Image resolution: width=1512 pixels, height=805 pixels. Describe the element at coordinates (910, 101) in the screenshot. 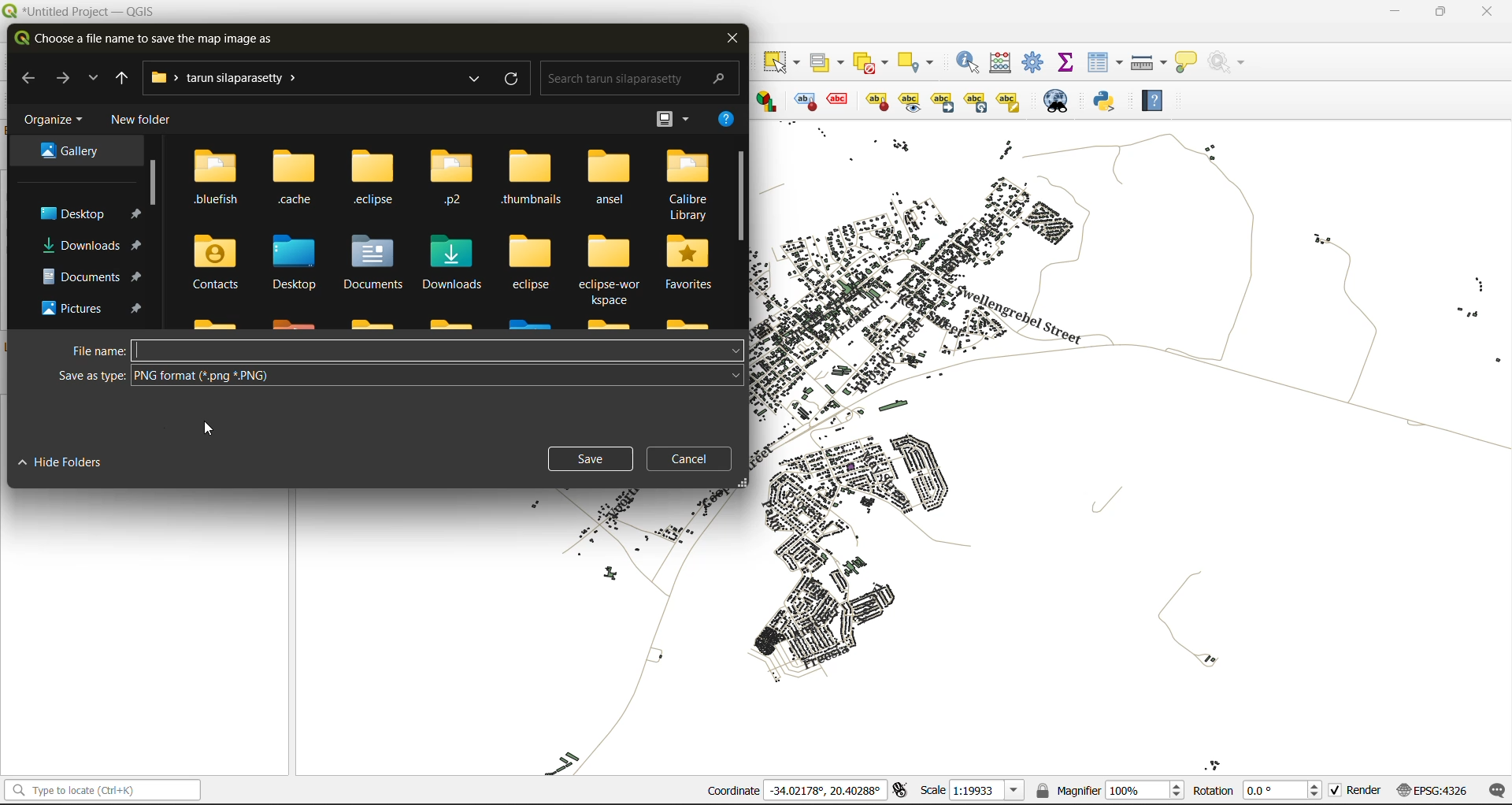

I see `Move a label, diagrams or callout ` at that location.